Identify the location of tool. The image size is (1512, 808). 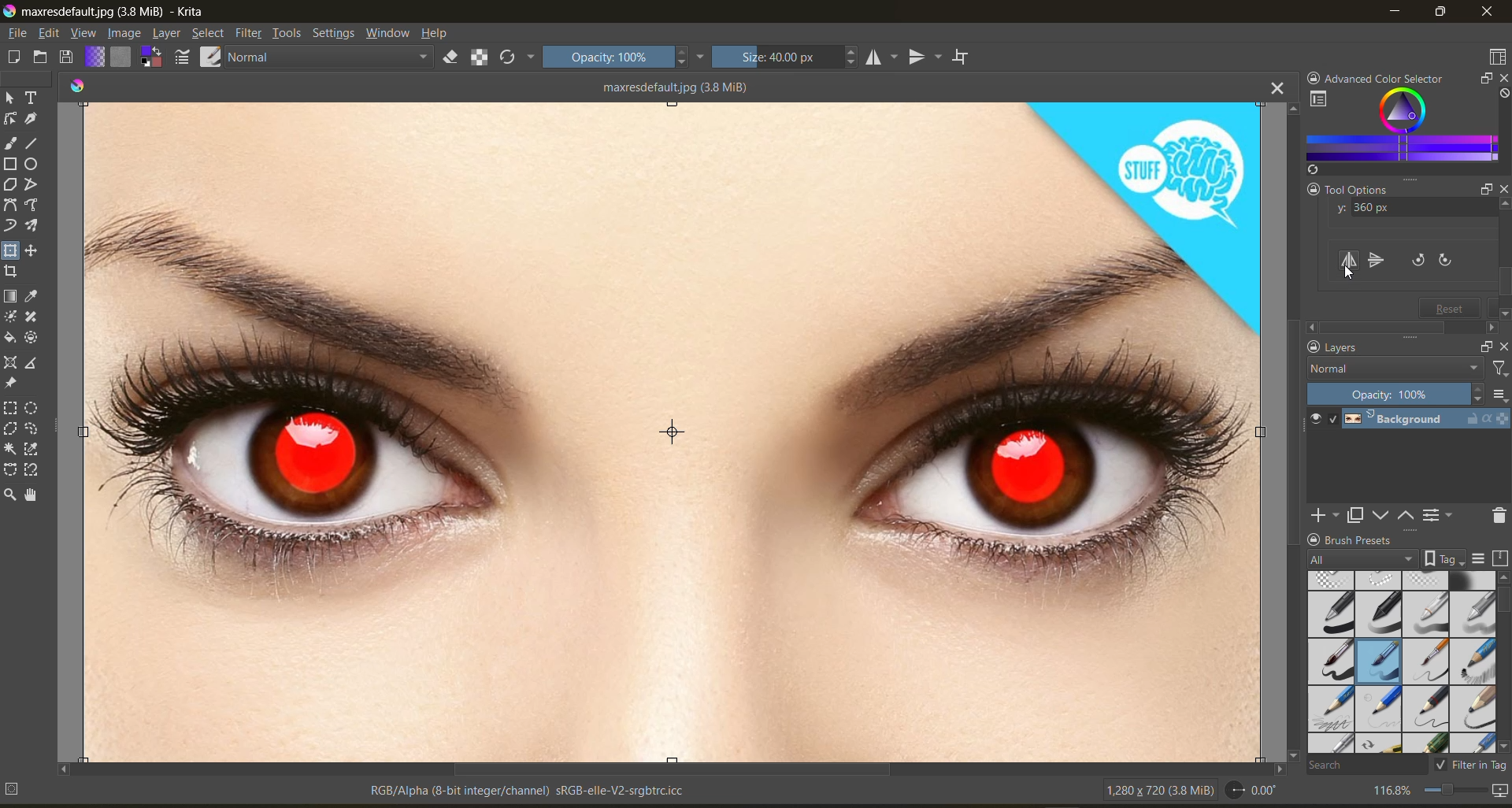
(31, 317).